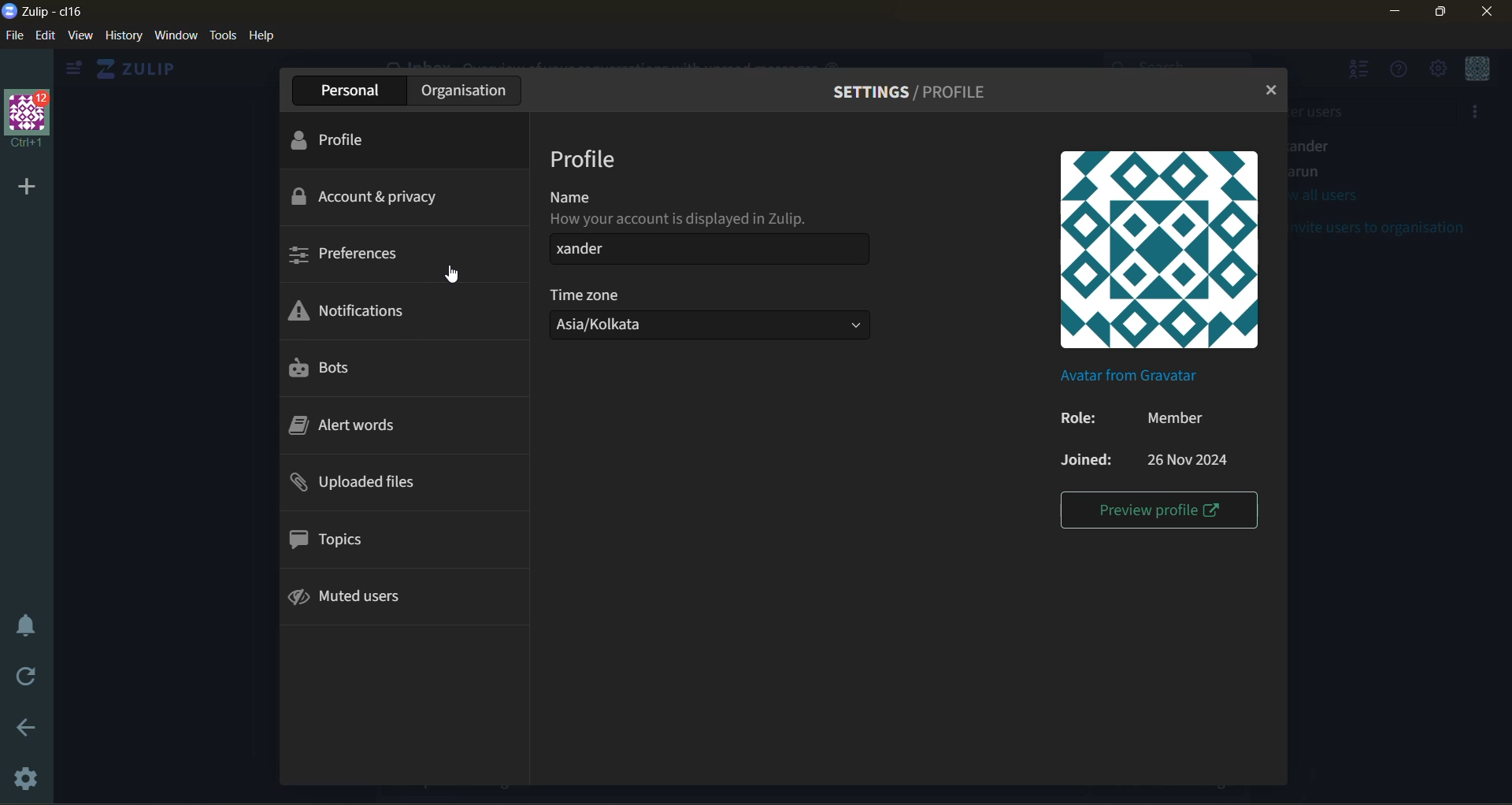 This screenshot has width=1512, height=805. I want to click on go back, so click(31, 729).